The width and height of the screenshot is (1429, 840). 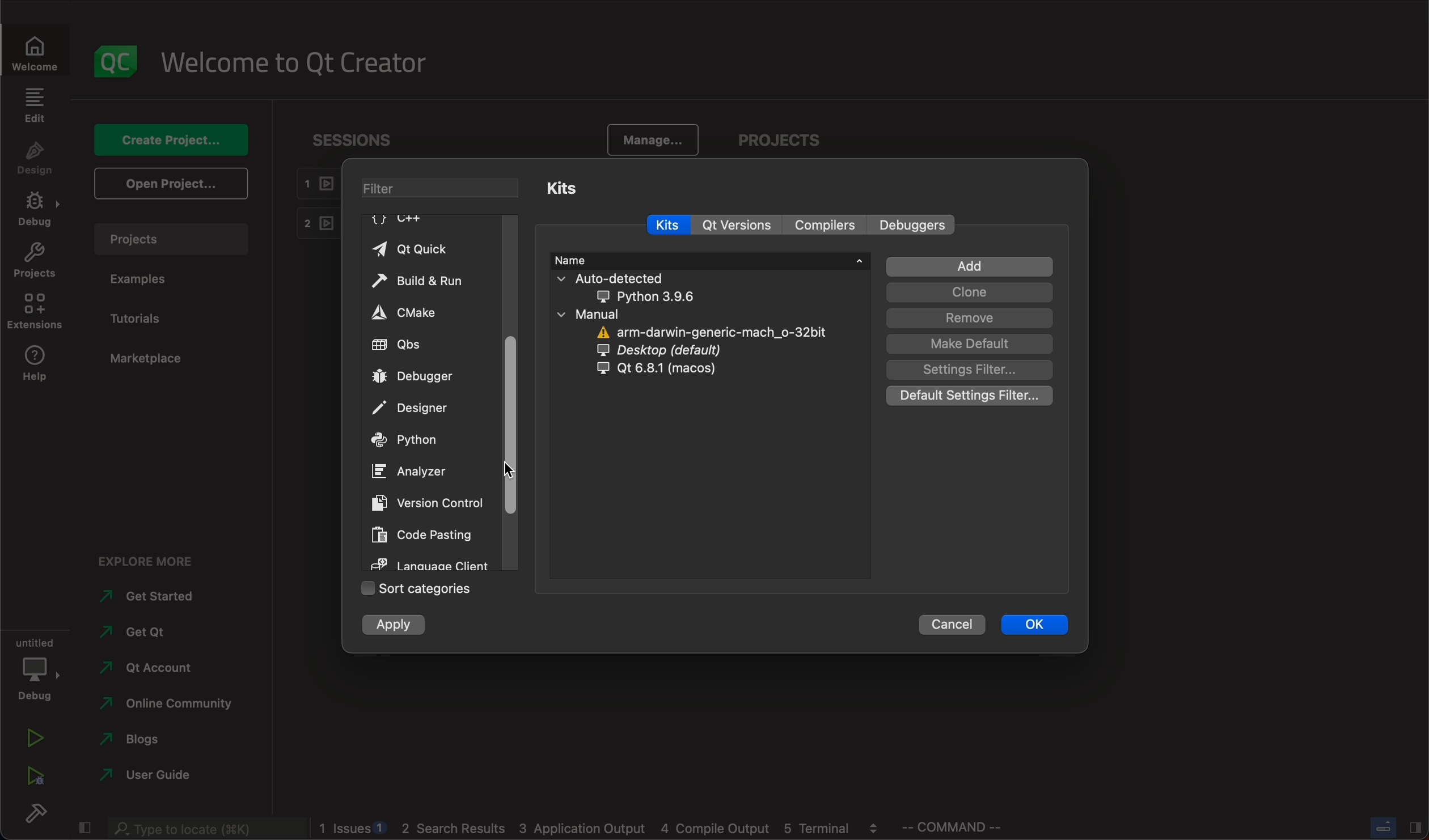 What do you see at coordinates (1037, 622) in the screenshot?
I see `ok` at bounding box center [1037, 622].